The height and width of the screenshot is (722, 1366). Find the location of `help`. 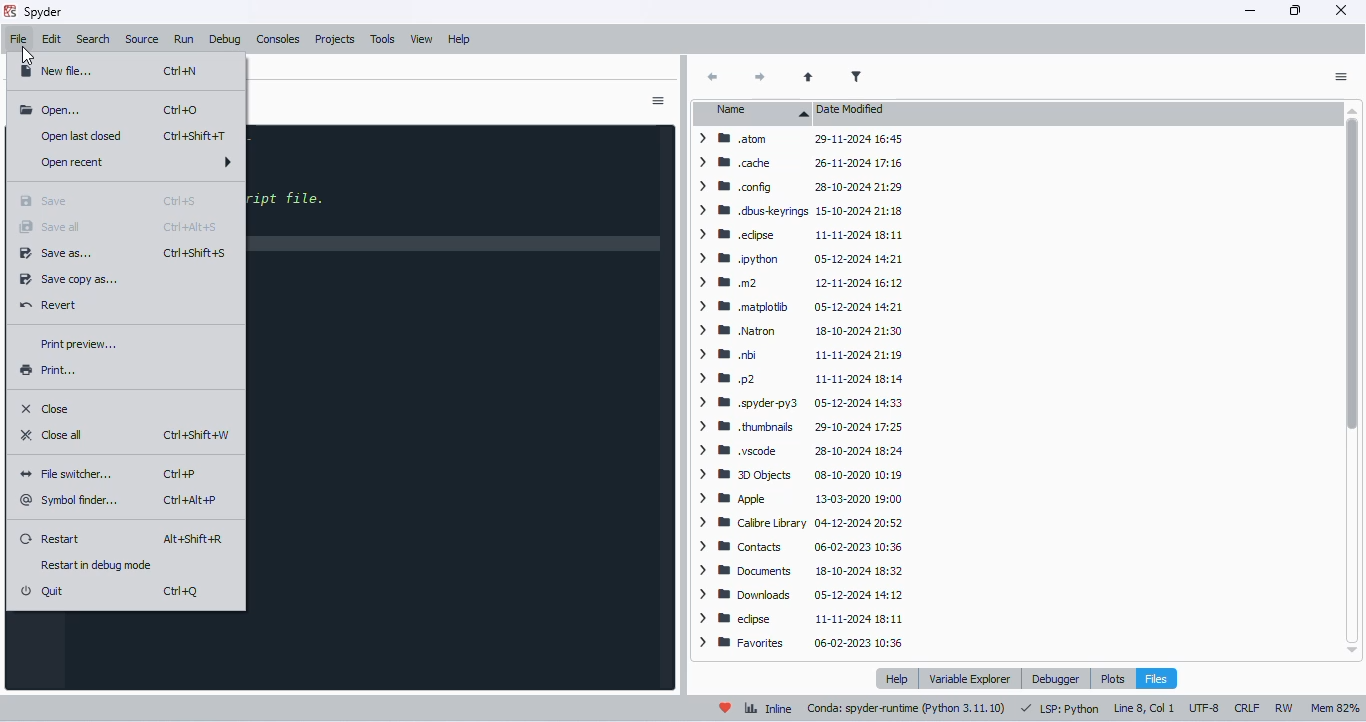

help is located at coordinates (459, 39).